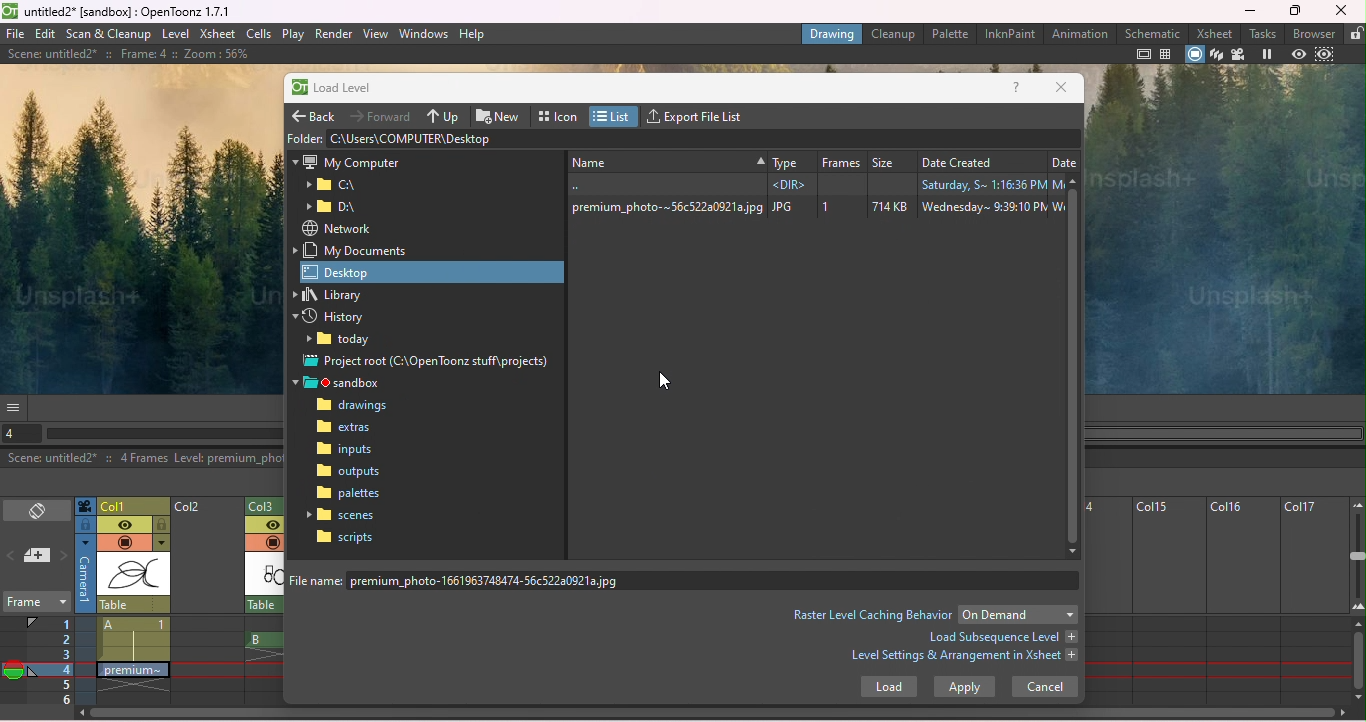  Describe the element at coordinates (445, 115) in the screenshot. I see `Up` at that location.